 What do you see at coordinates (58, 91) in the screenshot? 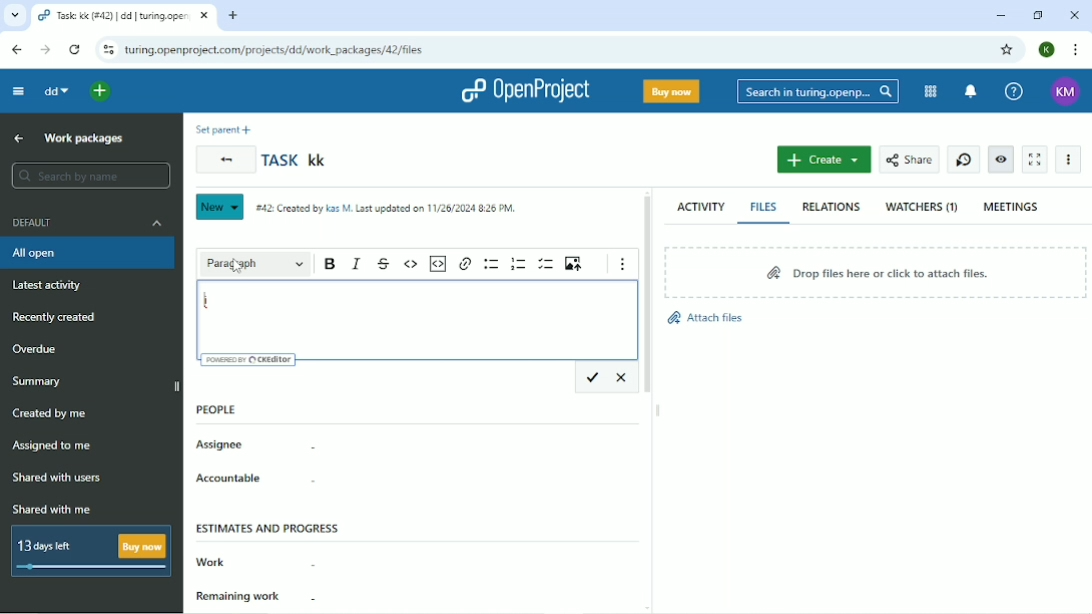
I see `dd` at bounding box center [58, 91].